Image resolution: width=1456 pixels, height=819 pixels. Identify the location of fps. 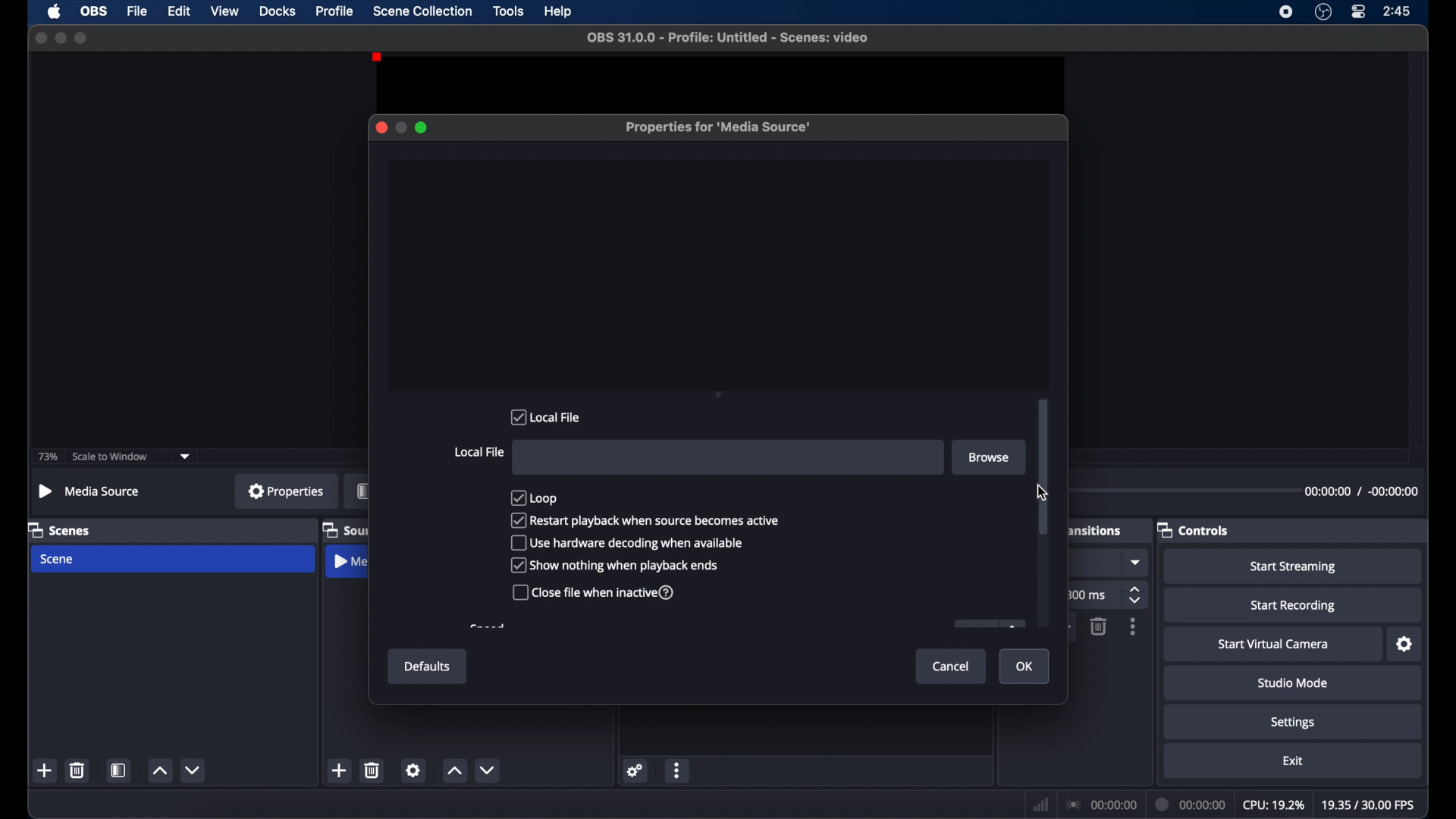
(1367, 805).